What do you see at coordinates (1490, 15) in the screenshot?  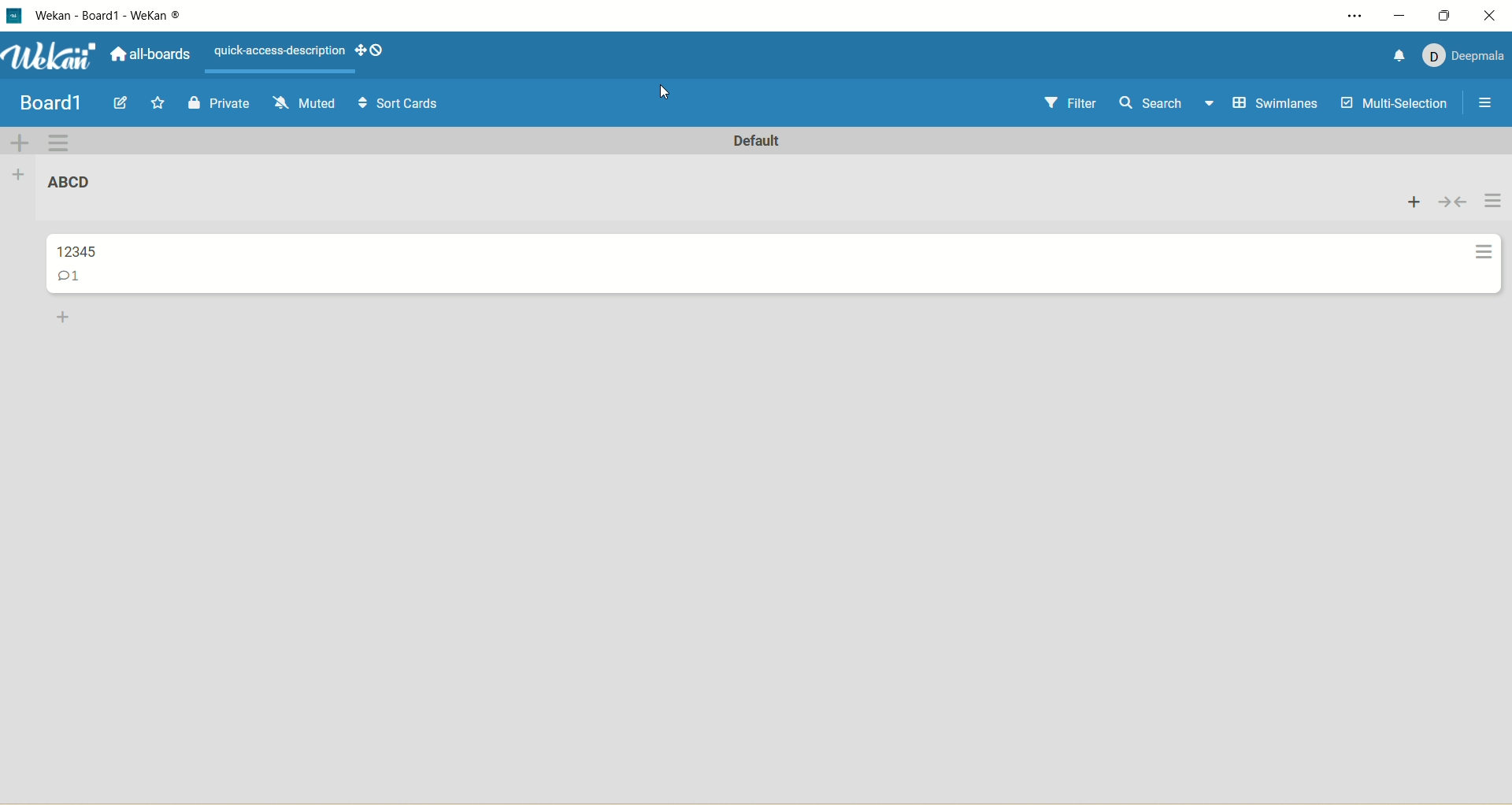 I see `close` at bounding box center [1490, 15].